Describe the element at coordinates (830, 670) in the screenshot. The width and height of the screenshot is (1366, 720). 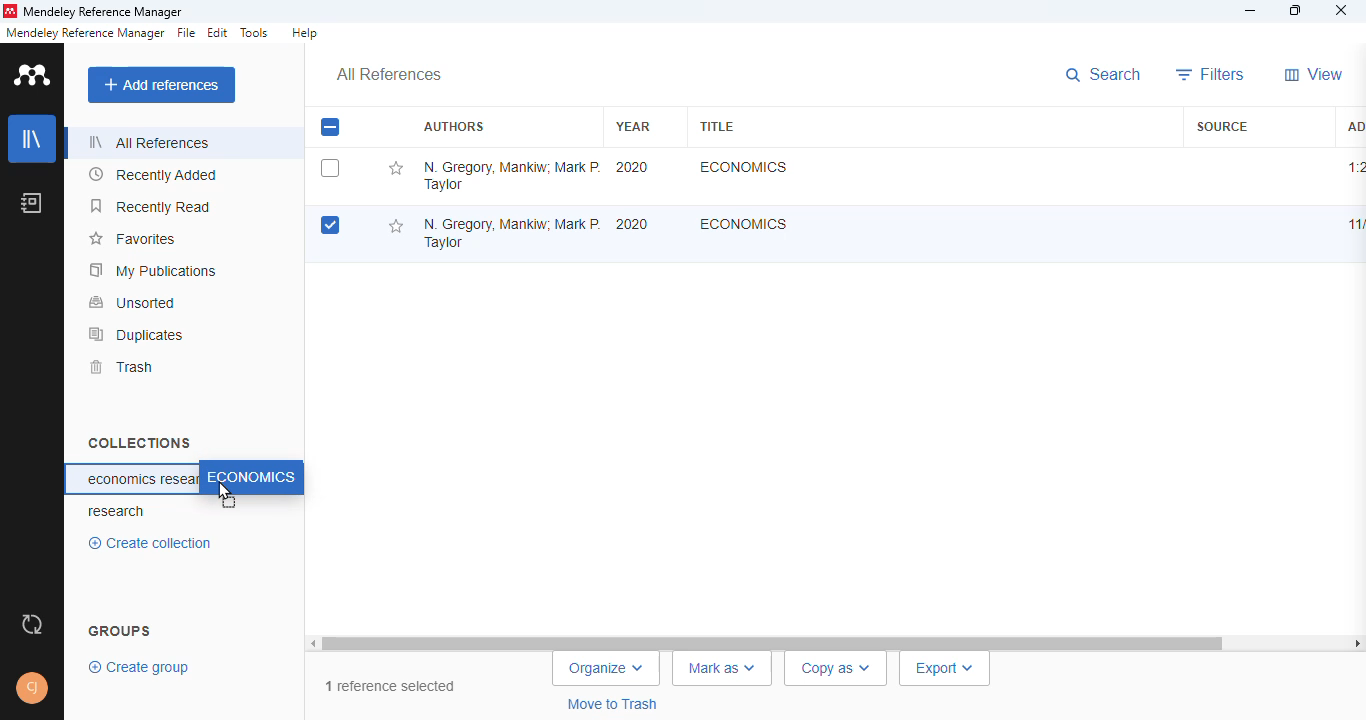
I see `copy as` at that location.